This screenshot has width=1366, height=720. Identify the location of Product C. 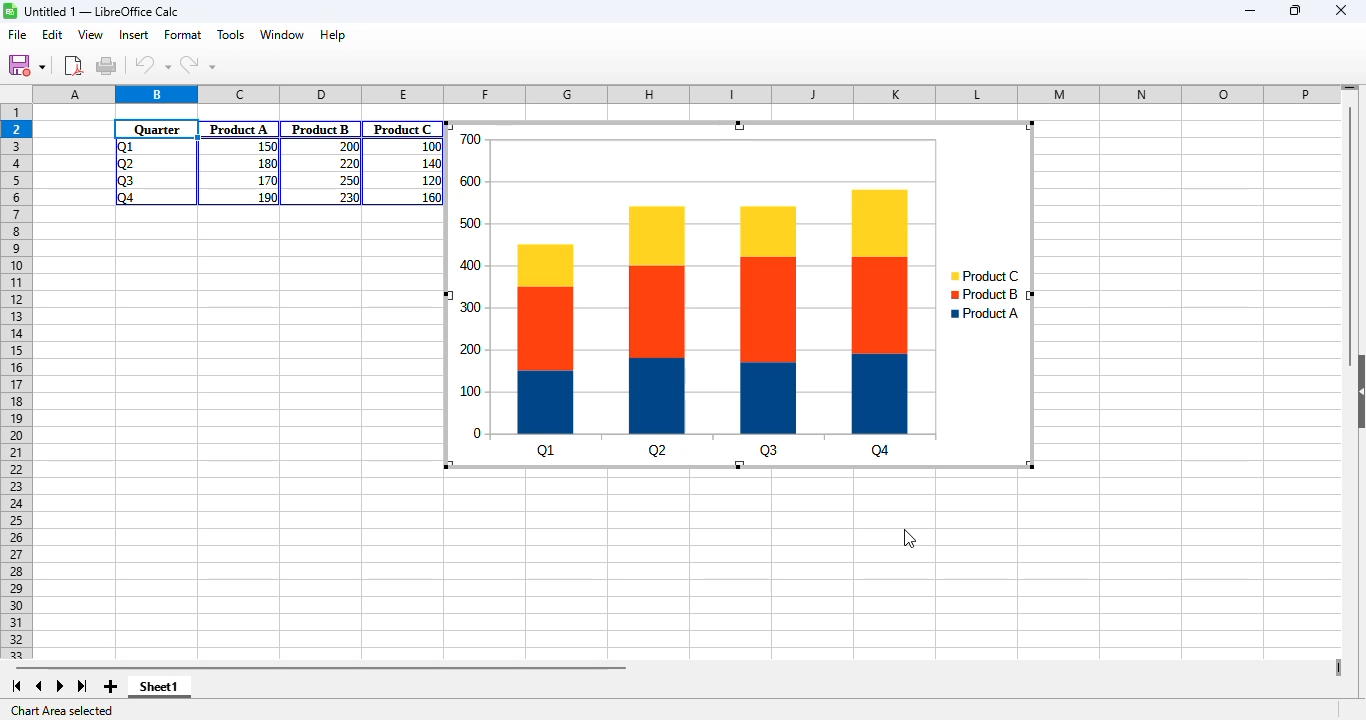
(403, 129).